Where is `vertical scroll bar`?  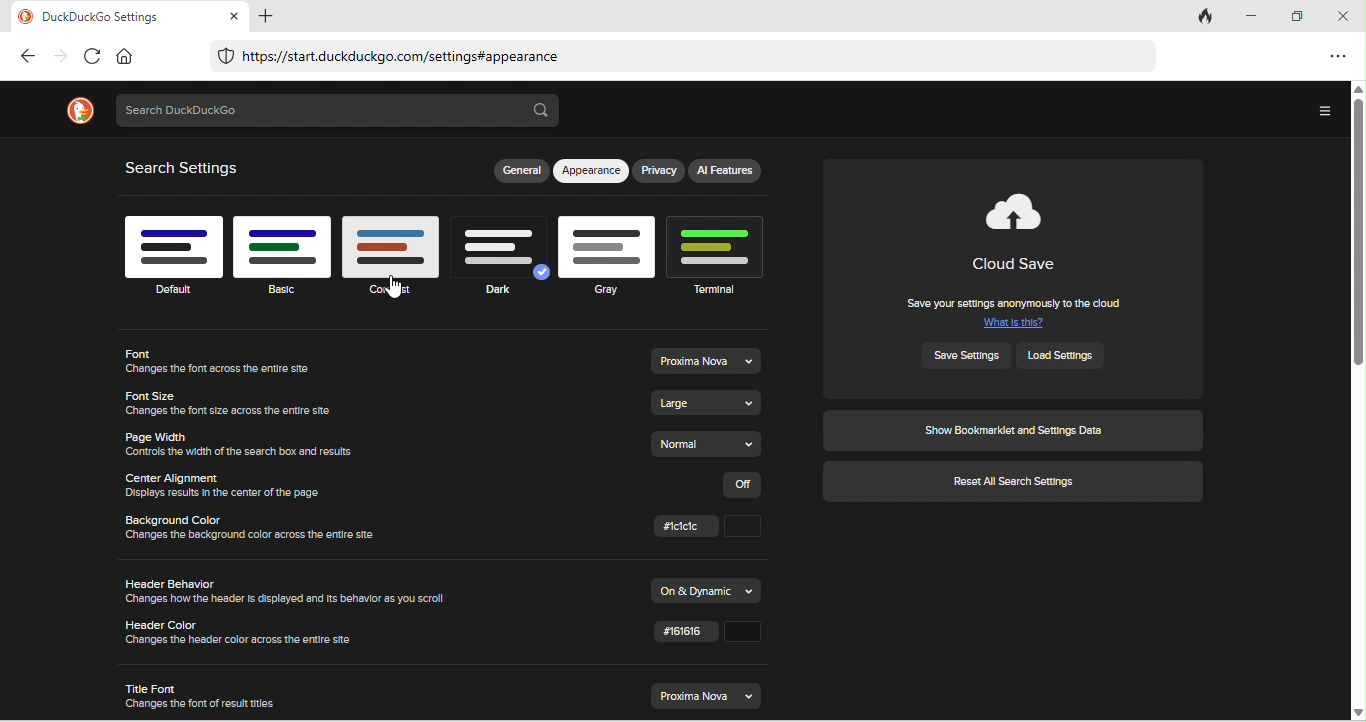 vertical scroll bar is located at coordinates (1356, 399).